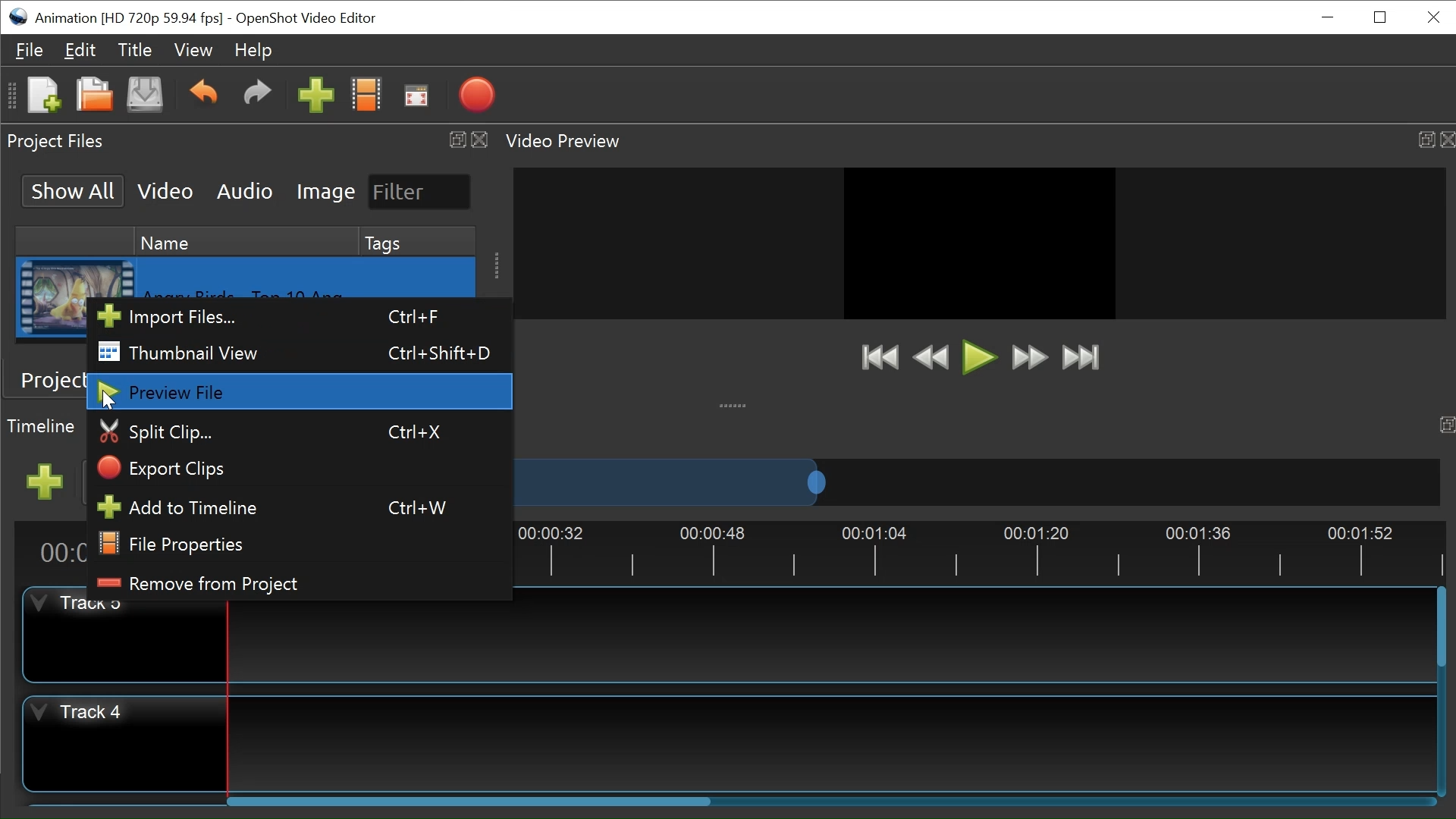  Describe the element at coordinates (418, 243) in the screenshot. I see `Tags` at that location.